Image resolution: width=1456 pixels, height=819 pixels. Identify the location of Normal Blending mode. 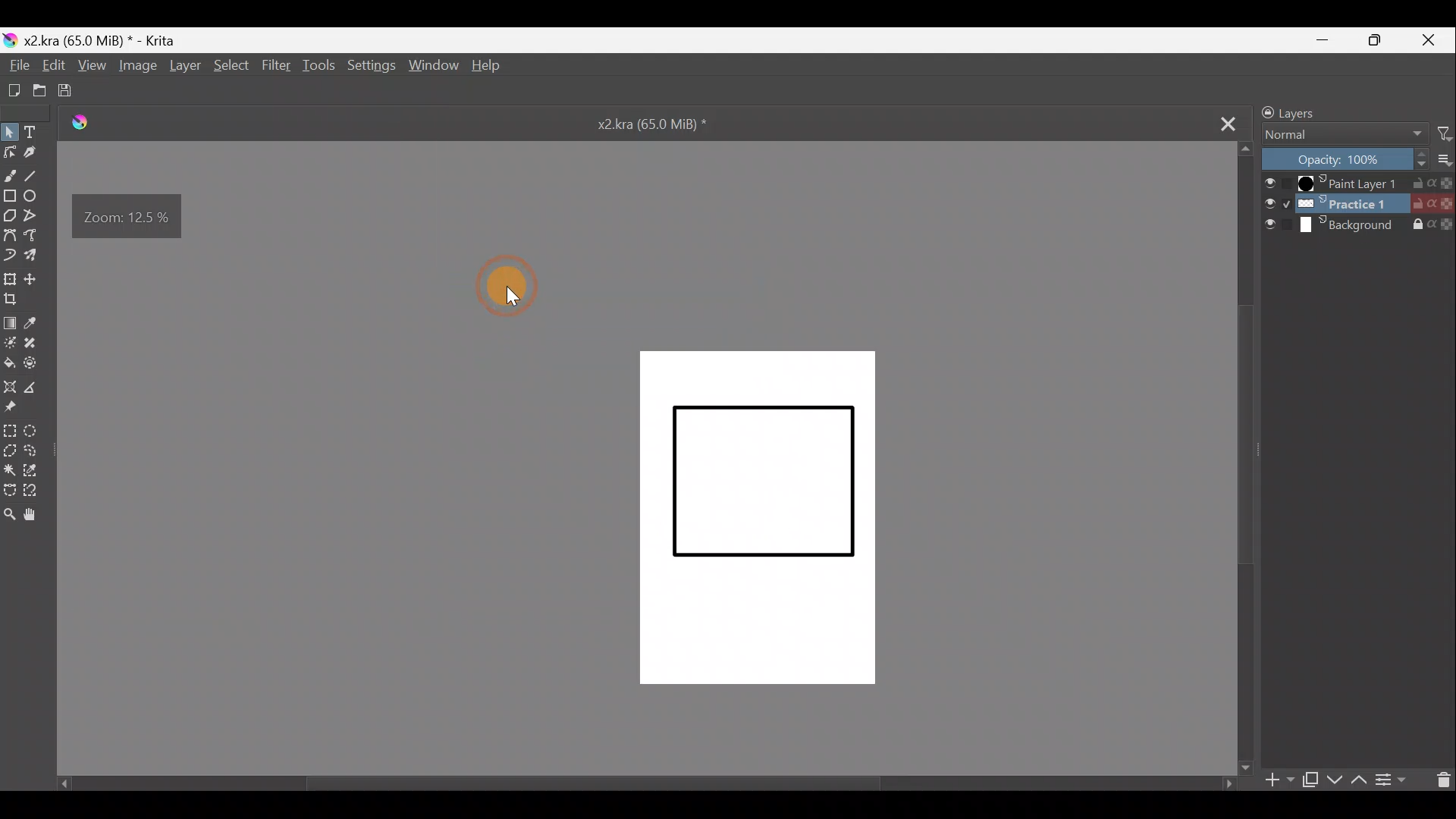
(1343, 136).